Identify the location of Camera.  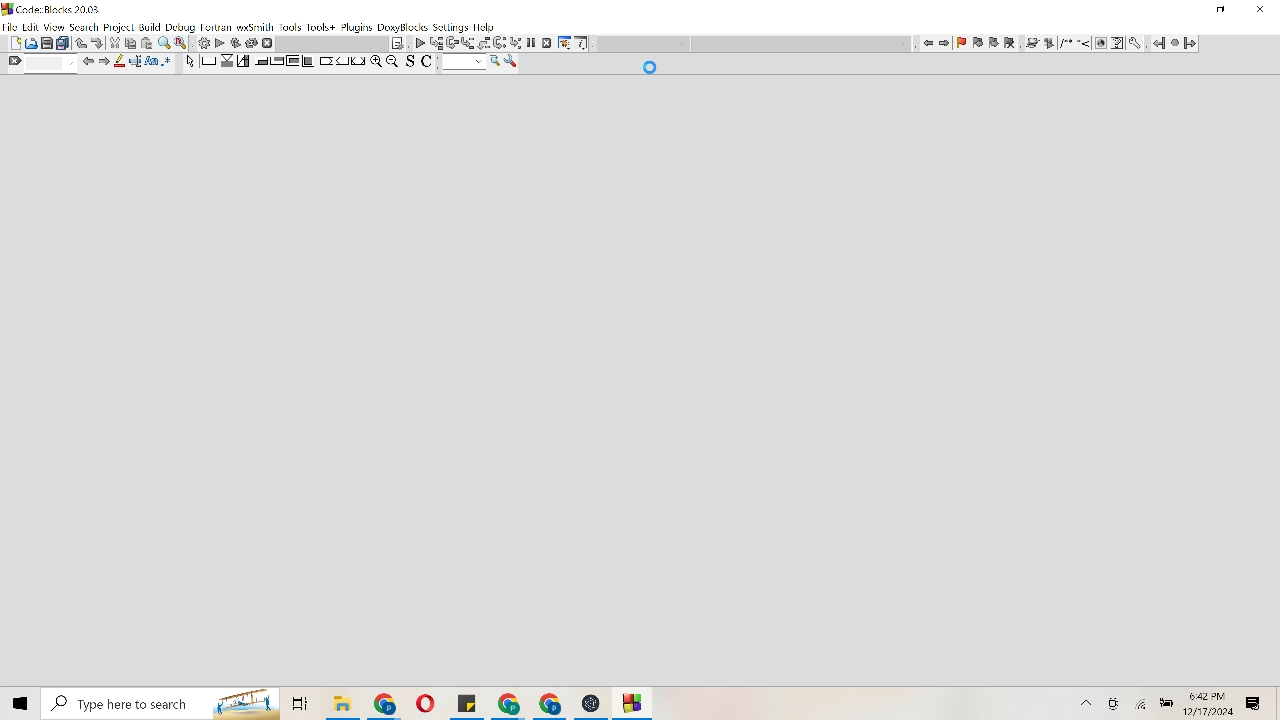
(1116, 703).